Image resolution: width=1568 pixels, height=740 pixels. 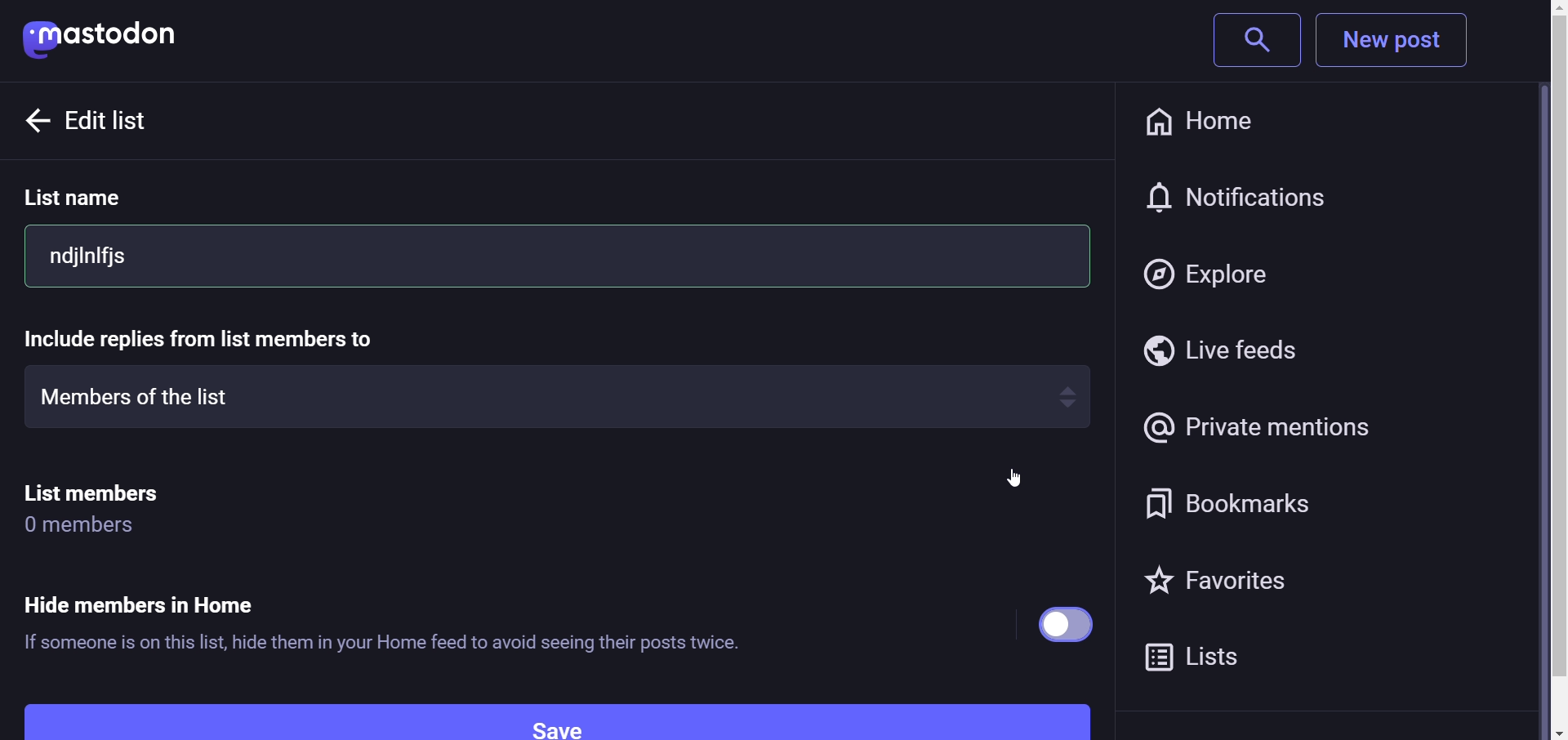 I want to click on New Post, so click(x=1396, y=41).